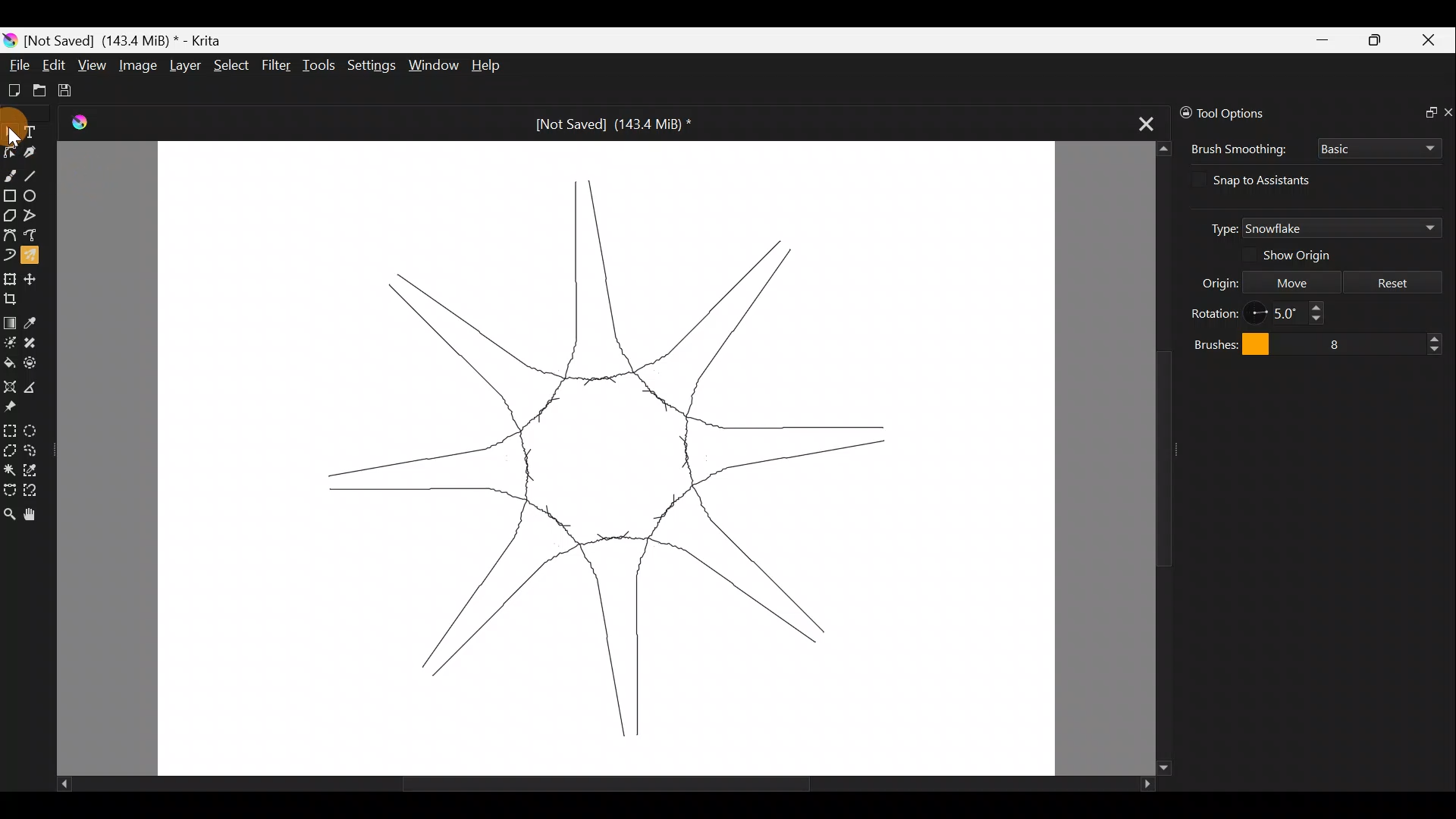 This screenshot has height=819, width=1456. Describe the element at coordinates (10, 42) in the screenshot. I see `Krita logo` at that location.